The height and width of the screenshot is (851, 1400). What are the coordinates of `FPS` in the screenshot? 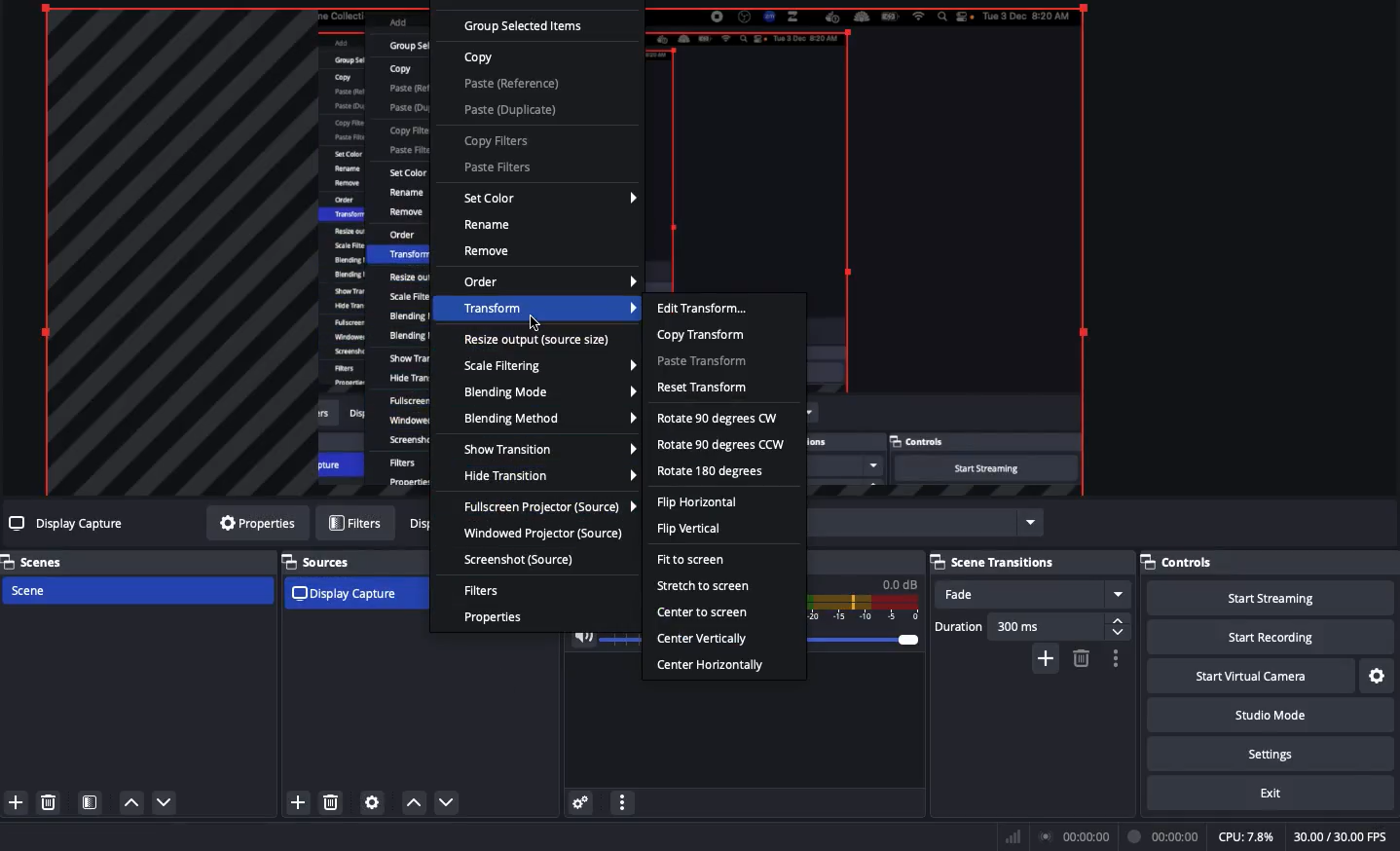 It's located at (1343, 836).